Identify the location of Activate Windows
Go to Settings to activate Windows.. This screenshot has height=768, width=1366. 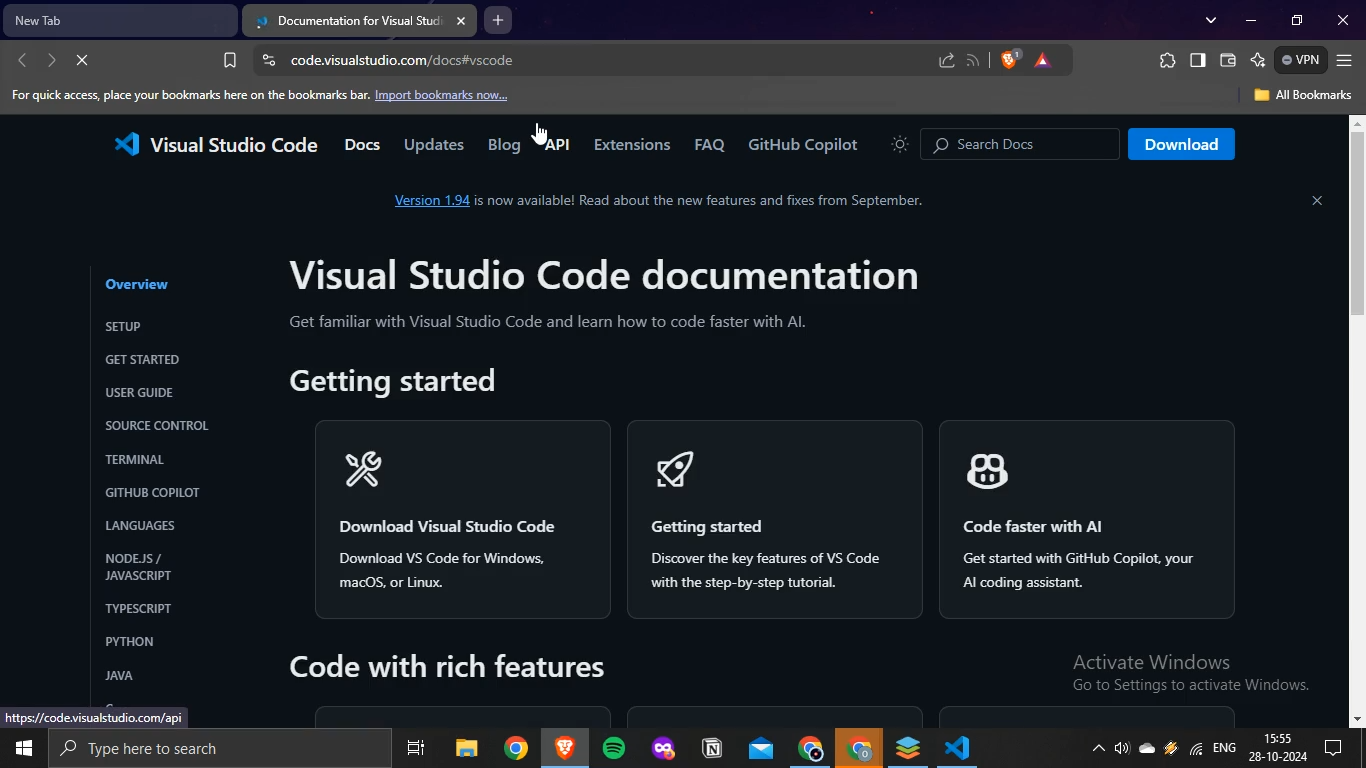
(1172, 670).